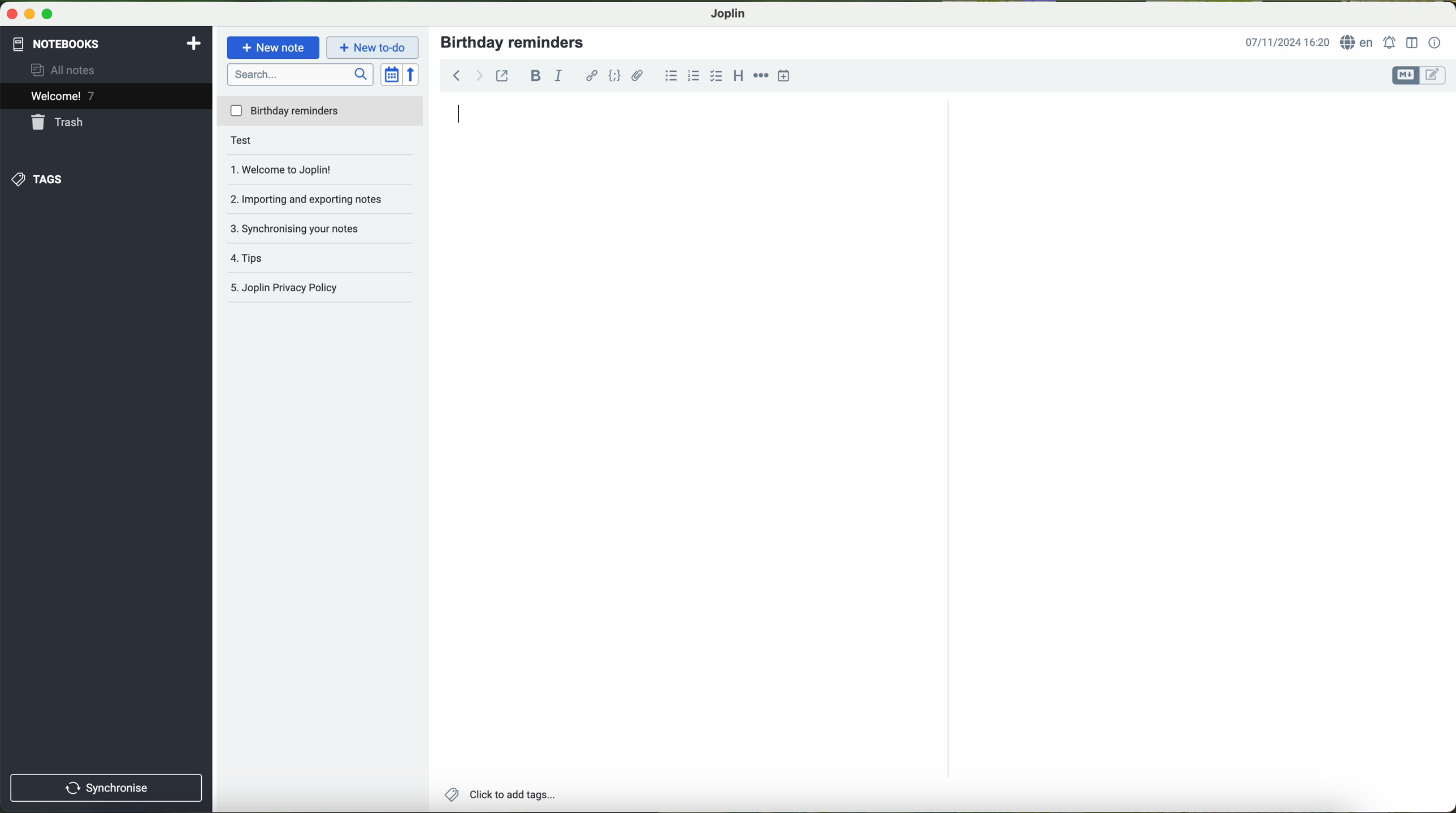 This screenshot has width=1456, height=813. Describe the element at coordinates (615, 75) in the screenshot. I see `code` at that location.